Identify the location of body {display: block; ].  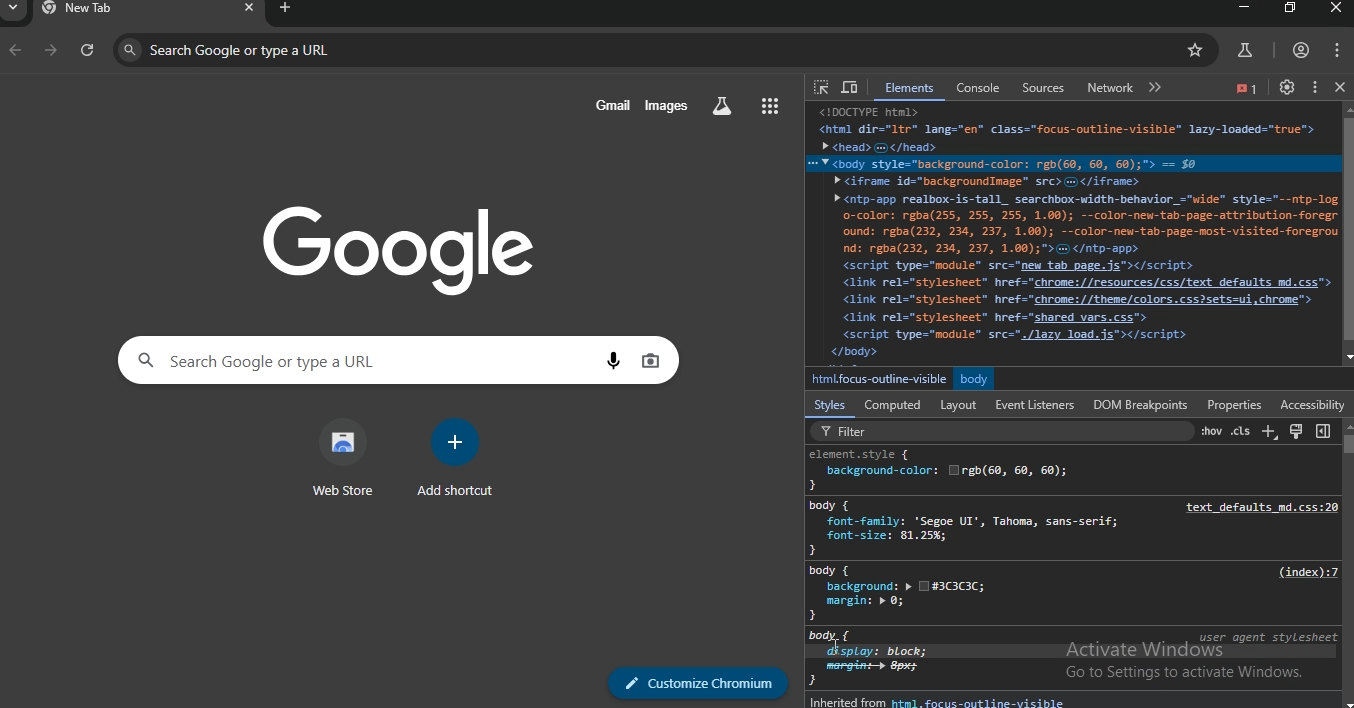
(872, 658).